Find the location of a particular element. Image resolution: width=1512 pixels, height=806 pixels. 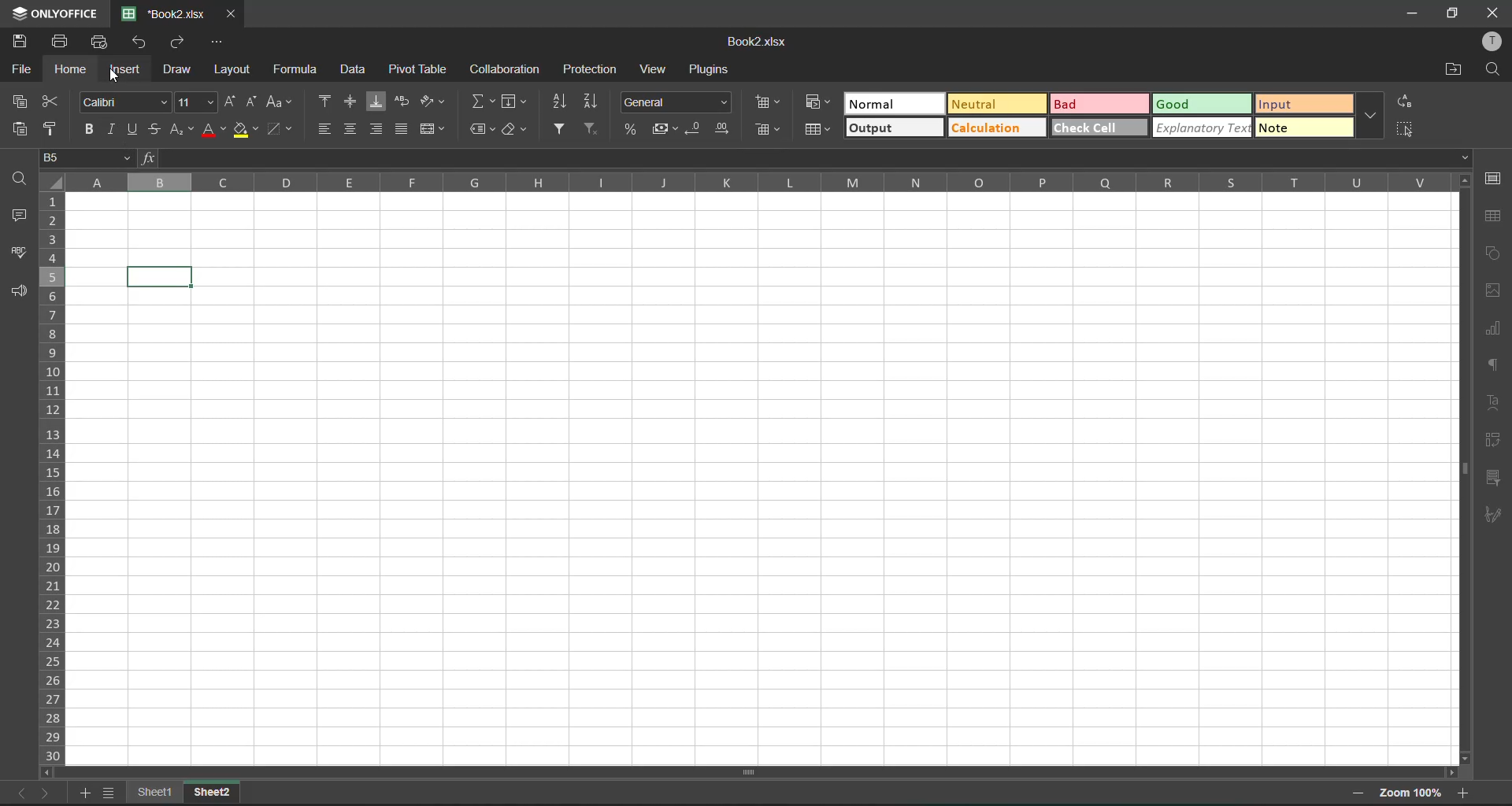

B5 is located at coordinates (83, 158).